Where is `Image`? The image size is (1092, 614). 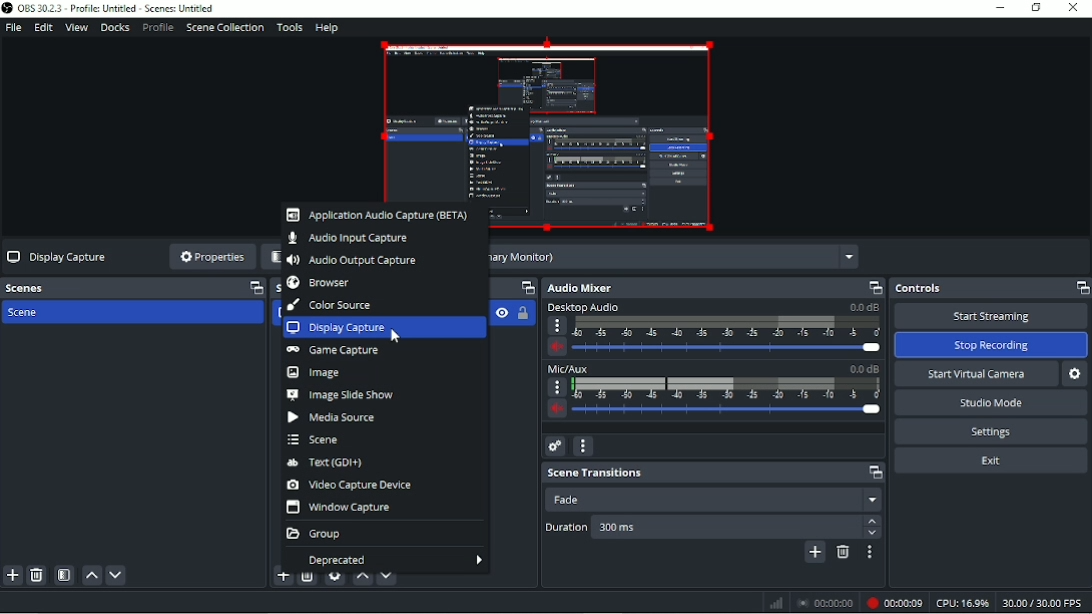
Image is located at coordinates (313, 373).